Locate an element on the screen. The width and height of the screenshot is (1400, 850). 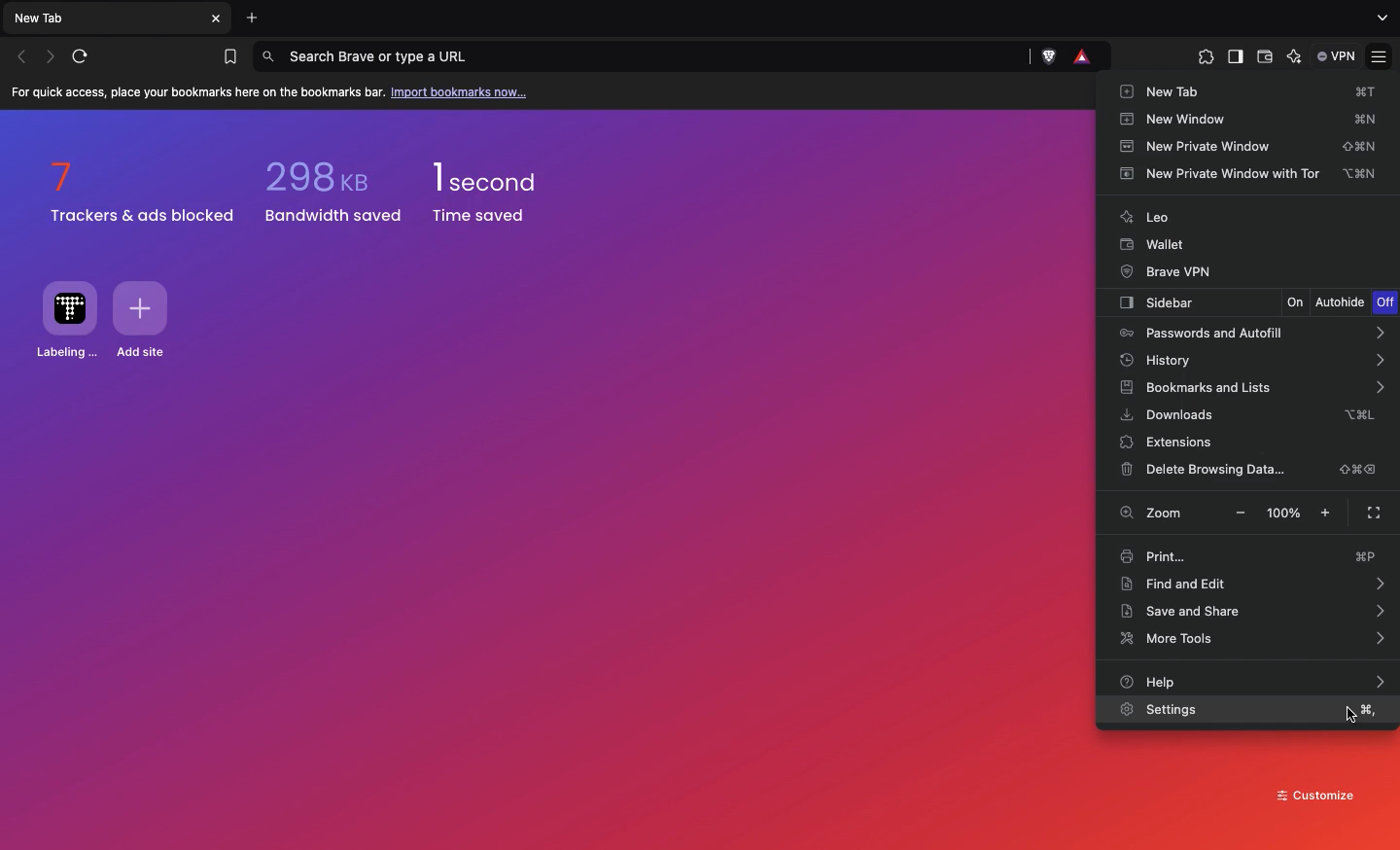
1 second time saved is located at coordinates (497, 193).